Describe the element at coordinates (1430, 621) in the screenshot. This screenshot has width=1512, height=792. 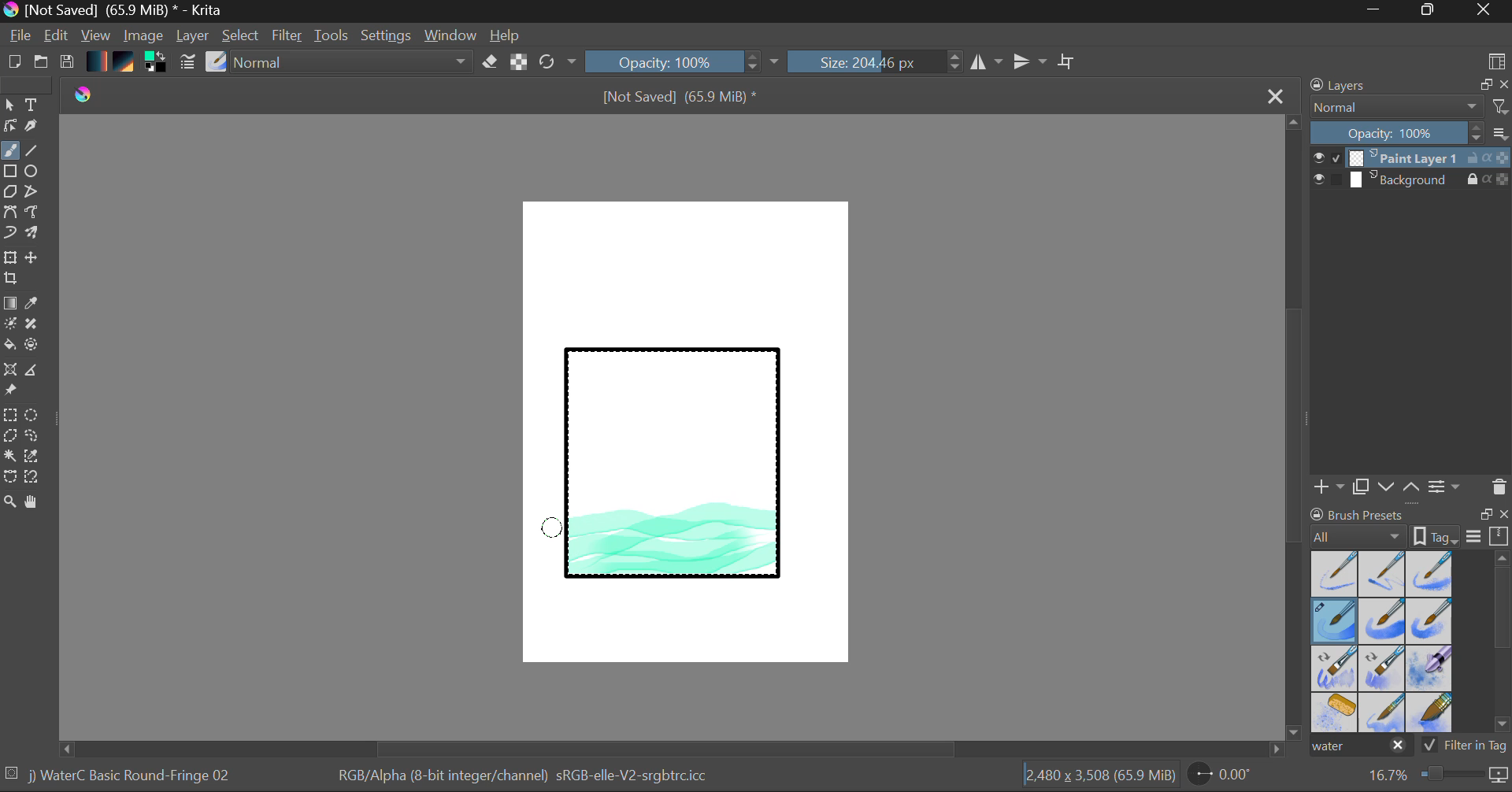
I see `Water C - Grunge` at that location.